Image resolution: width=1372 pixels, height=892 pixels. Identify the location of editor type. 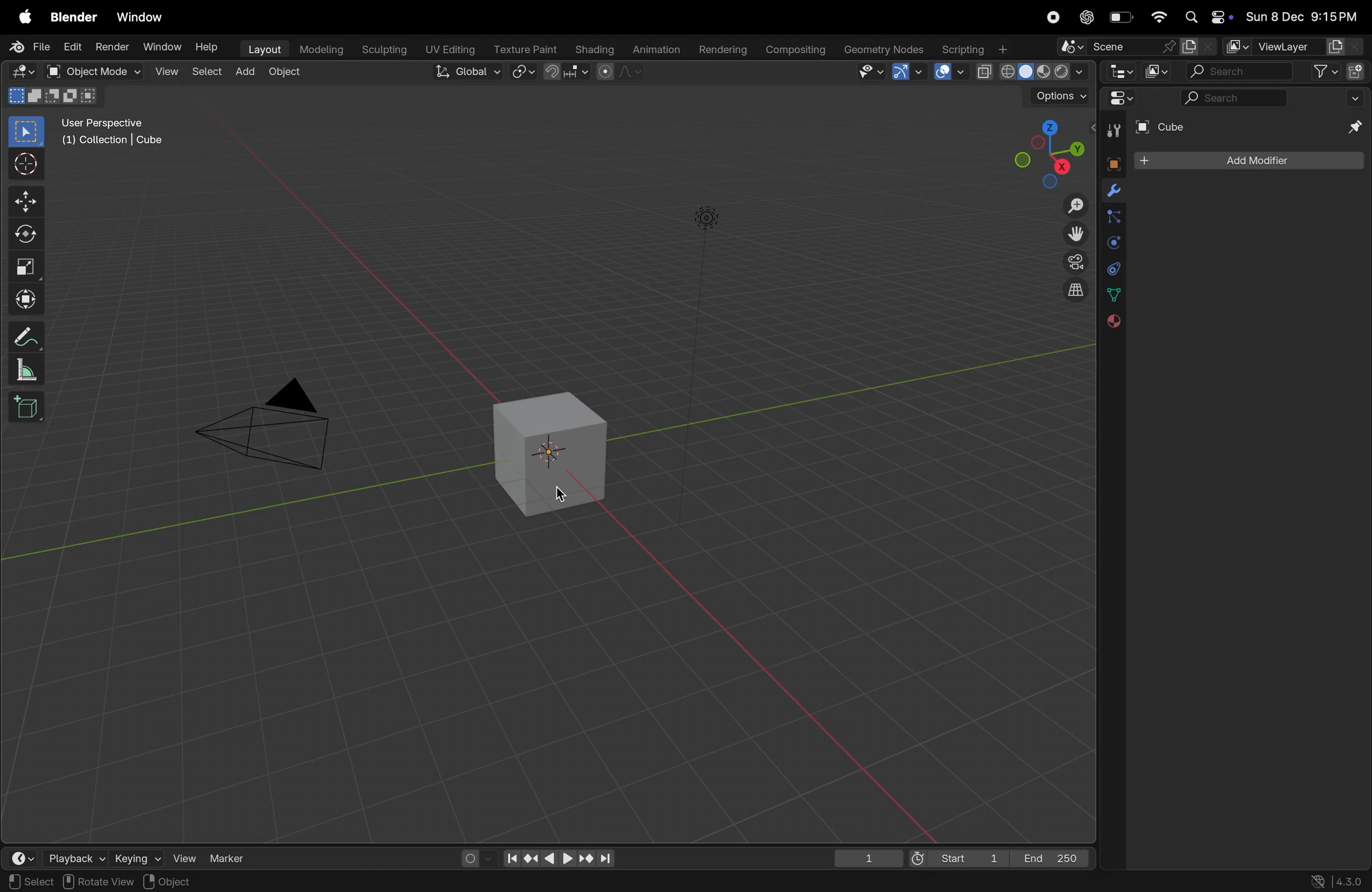
(1118, 71).